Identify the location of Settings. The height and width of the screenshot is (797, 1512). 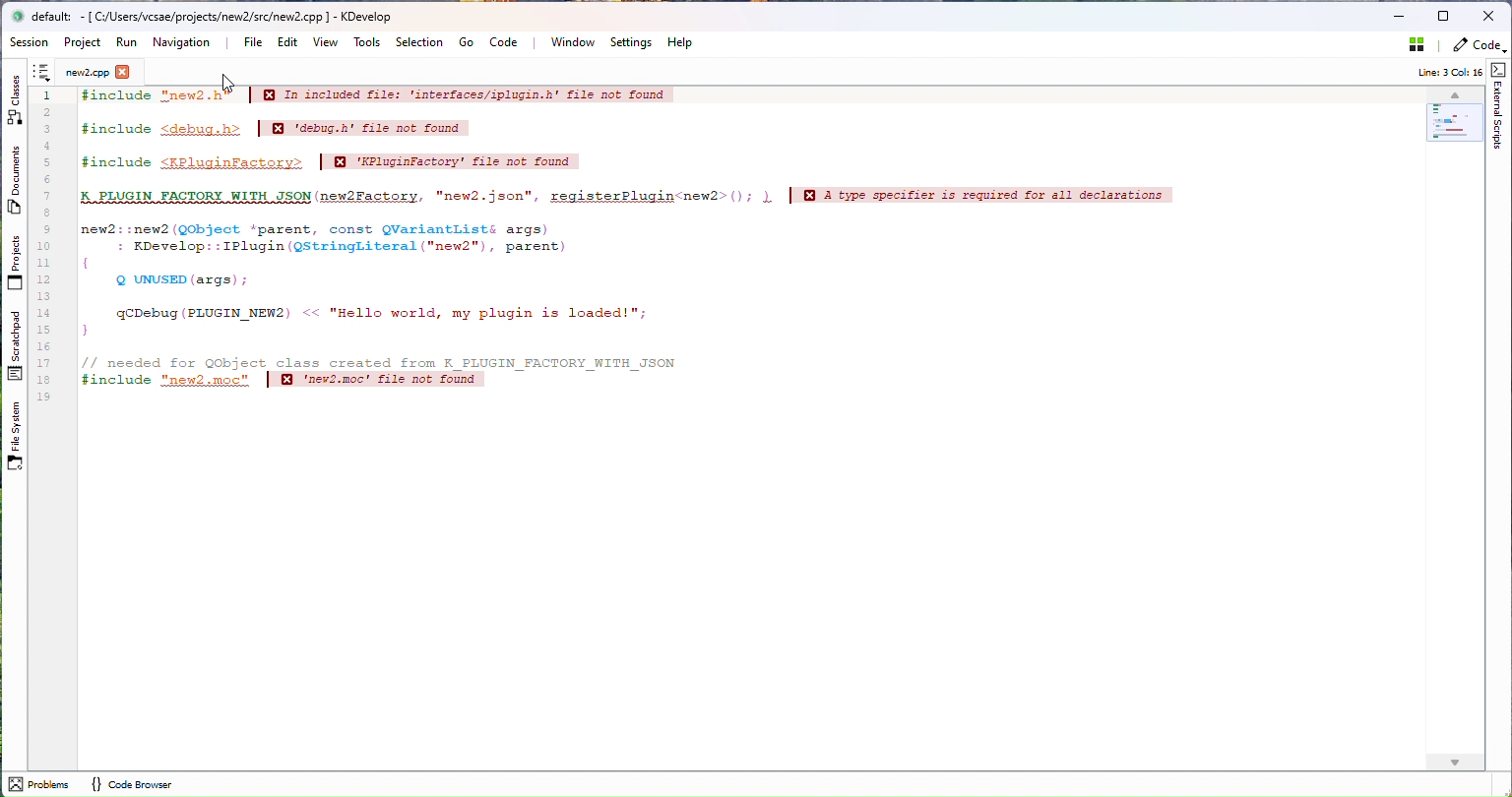
(632, 45).